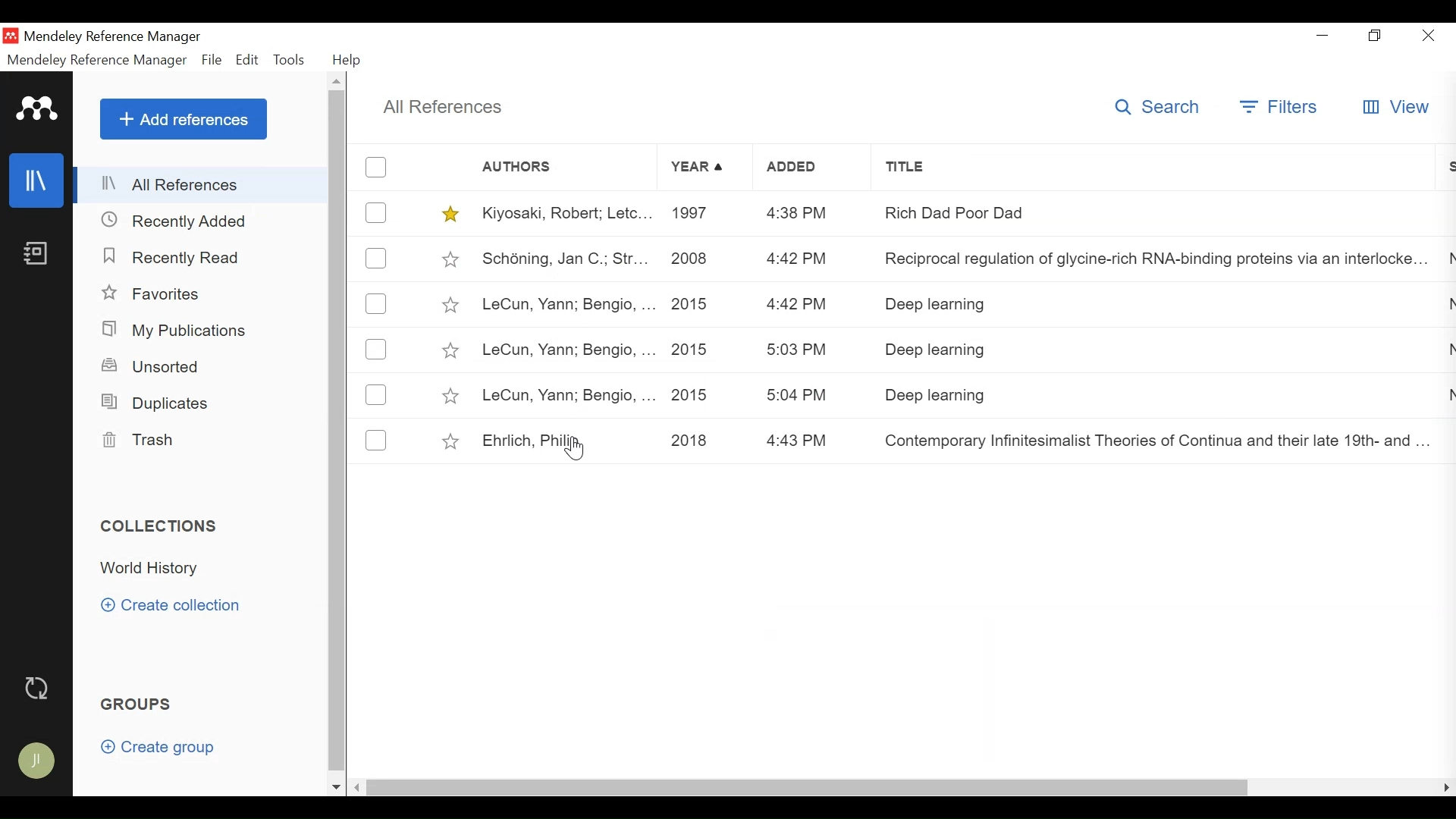 This screenshot has width=1456, height=819. I want to click on Add References, so click(183, 119).